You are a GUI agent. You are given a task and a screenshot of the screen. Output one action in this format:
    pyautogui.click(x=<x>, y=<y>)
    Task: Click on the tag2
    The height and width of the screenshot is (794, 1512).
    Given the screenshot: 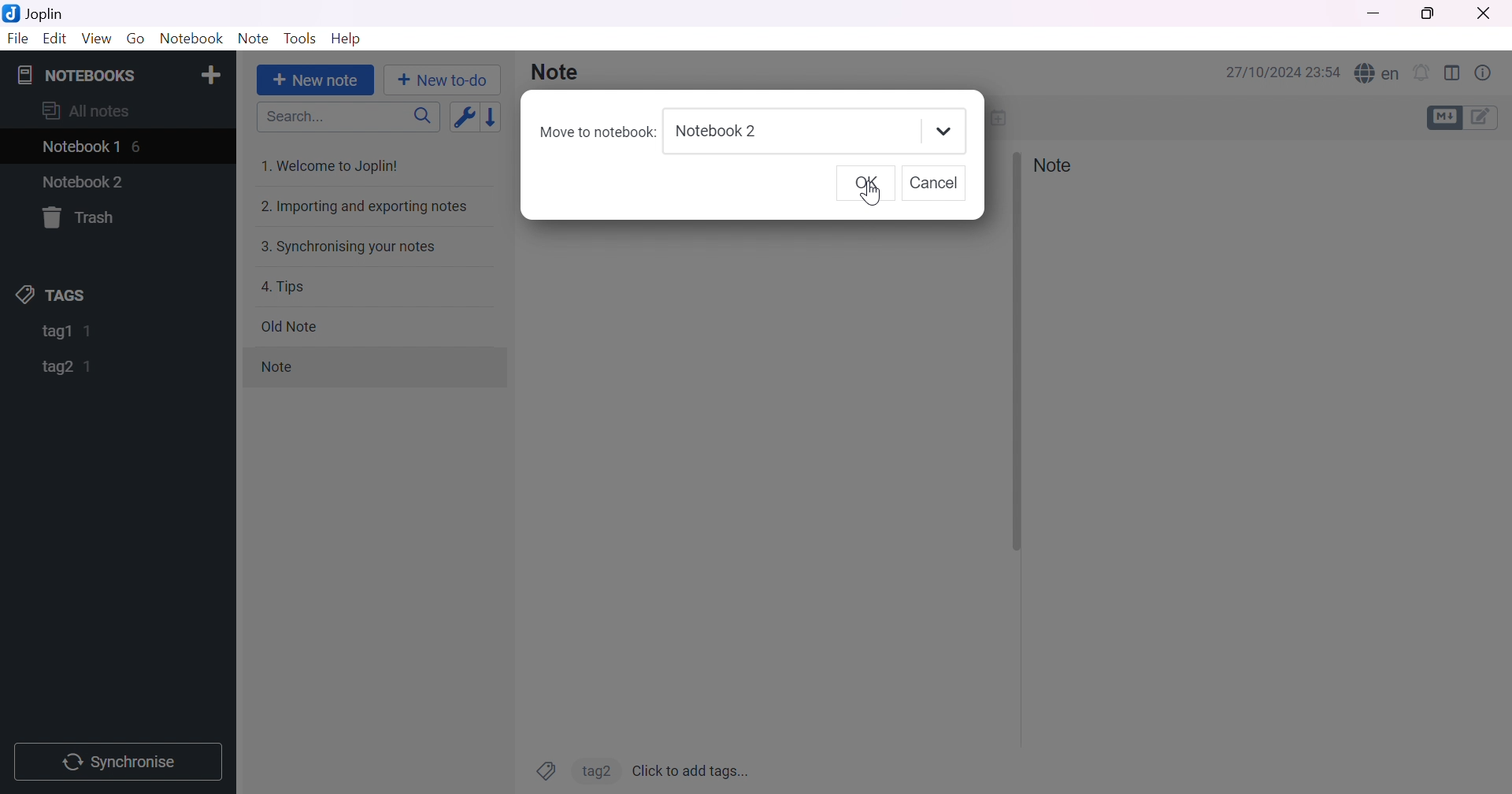 What is the action you would take?
    pyautogui.click(x=595, y=770)
    